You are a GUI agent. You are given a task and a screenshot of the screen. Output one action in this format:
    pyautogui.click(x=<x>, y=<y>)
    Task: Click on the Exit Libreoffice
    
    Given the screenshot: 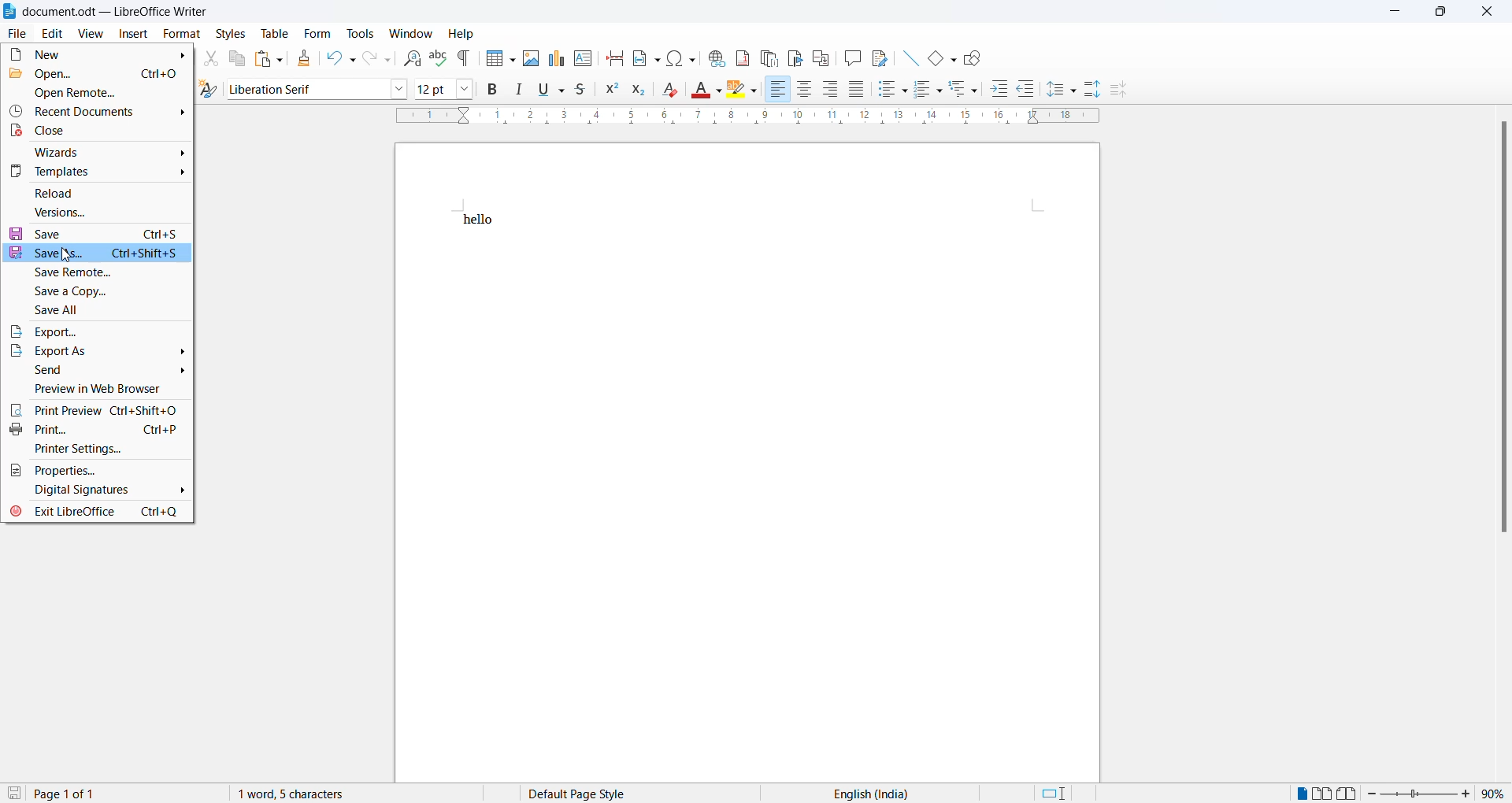 What is the action you would take?
    pyautogui.click(x=100, y=513)
    